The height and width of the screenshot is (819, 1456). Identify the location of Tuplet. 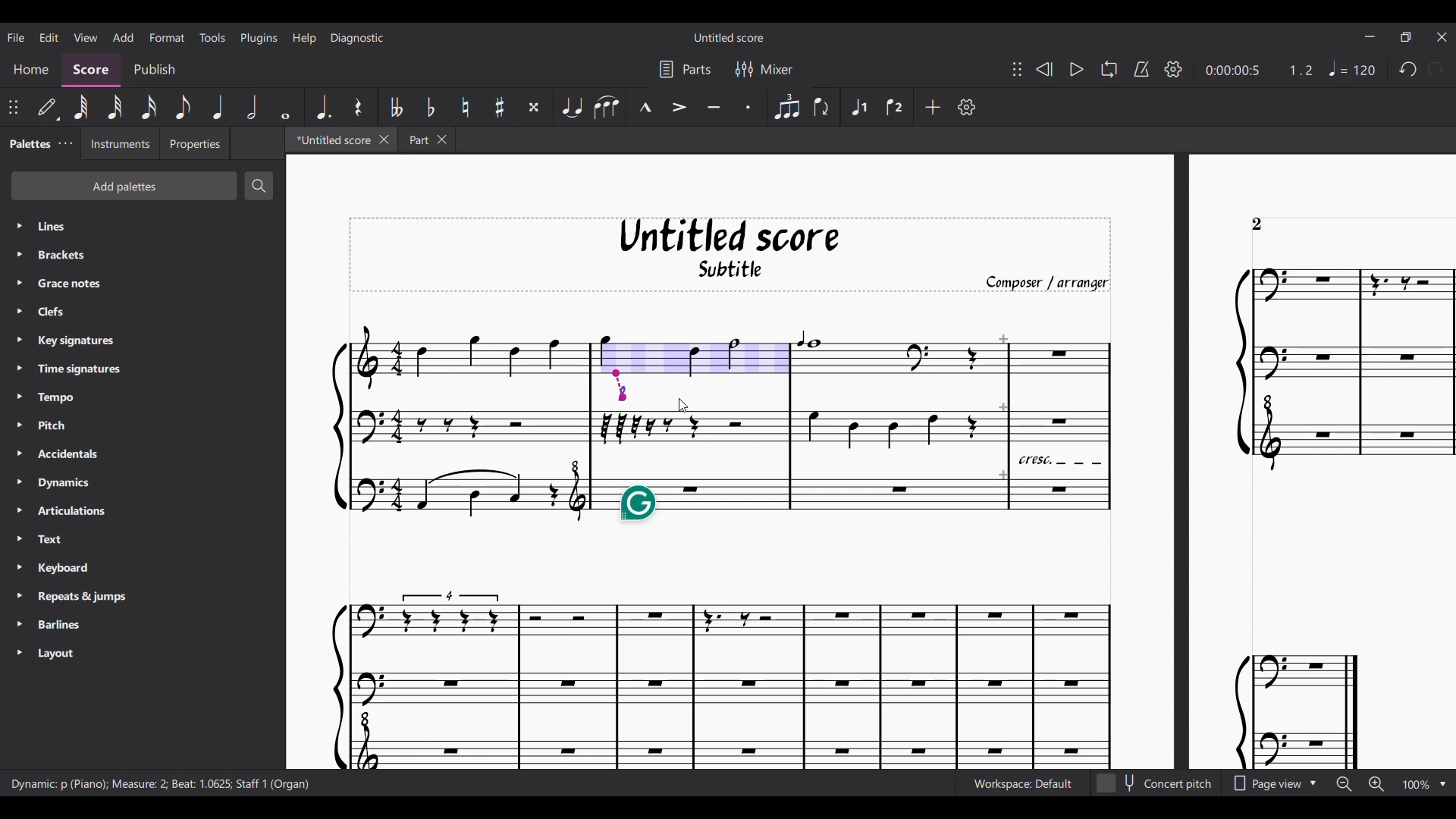
(786, 107).